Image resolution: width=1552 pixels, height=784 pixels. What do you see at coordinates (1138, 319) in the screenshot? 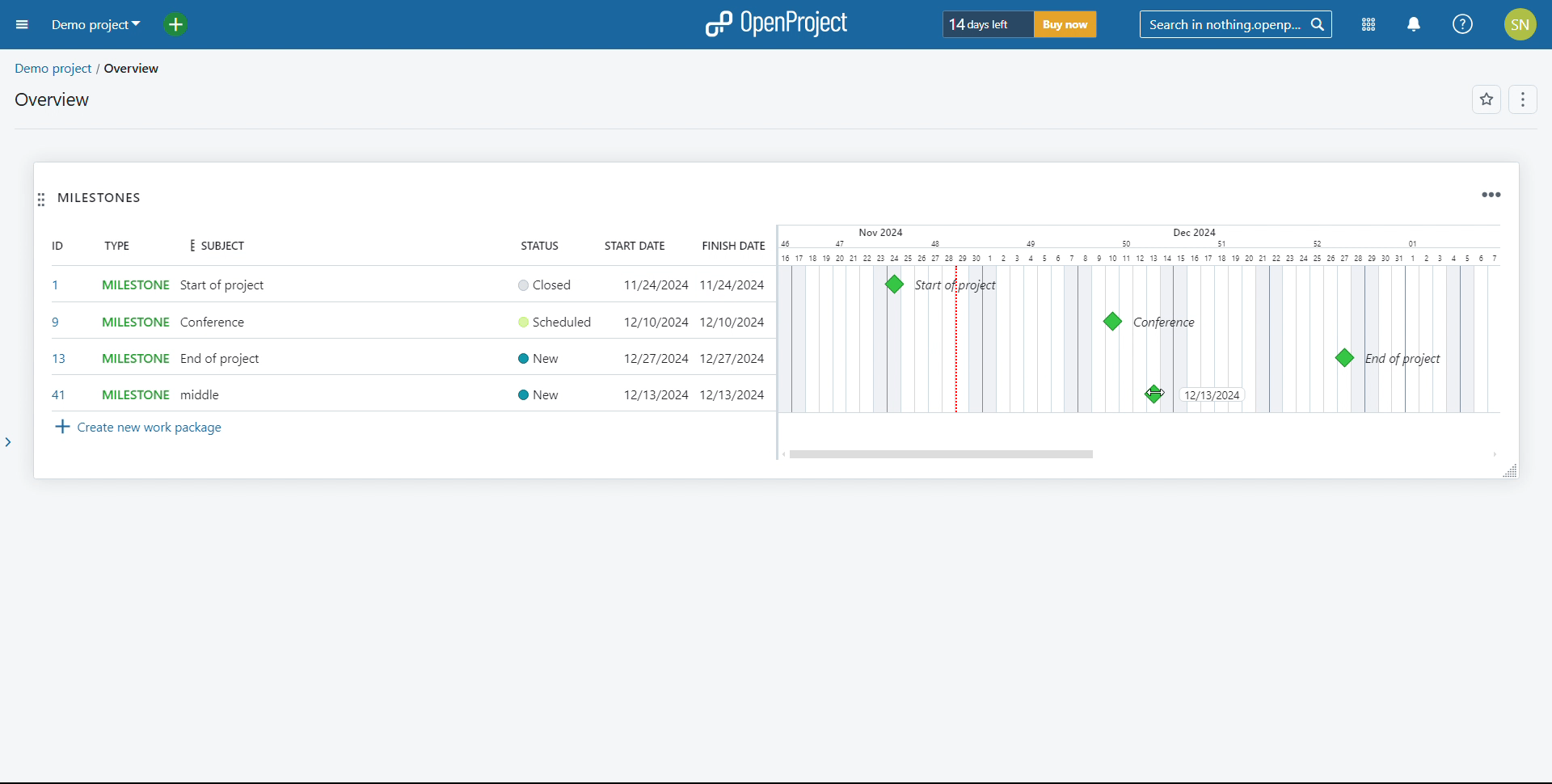
I see `calendar view` at bounding box center [1138, 319].